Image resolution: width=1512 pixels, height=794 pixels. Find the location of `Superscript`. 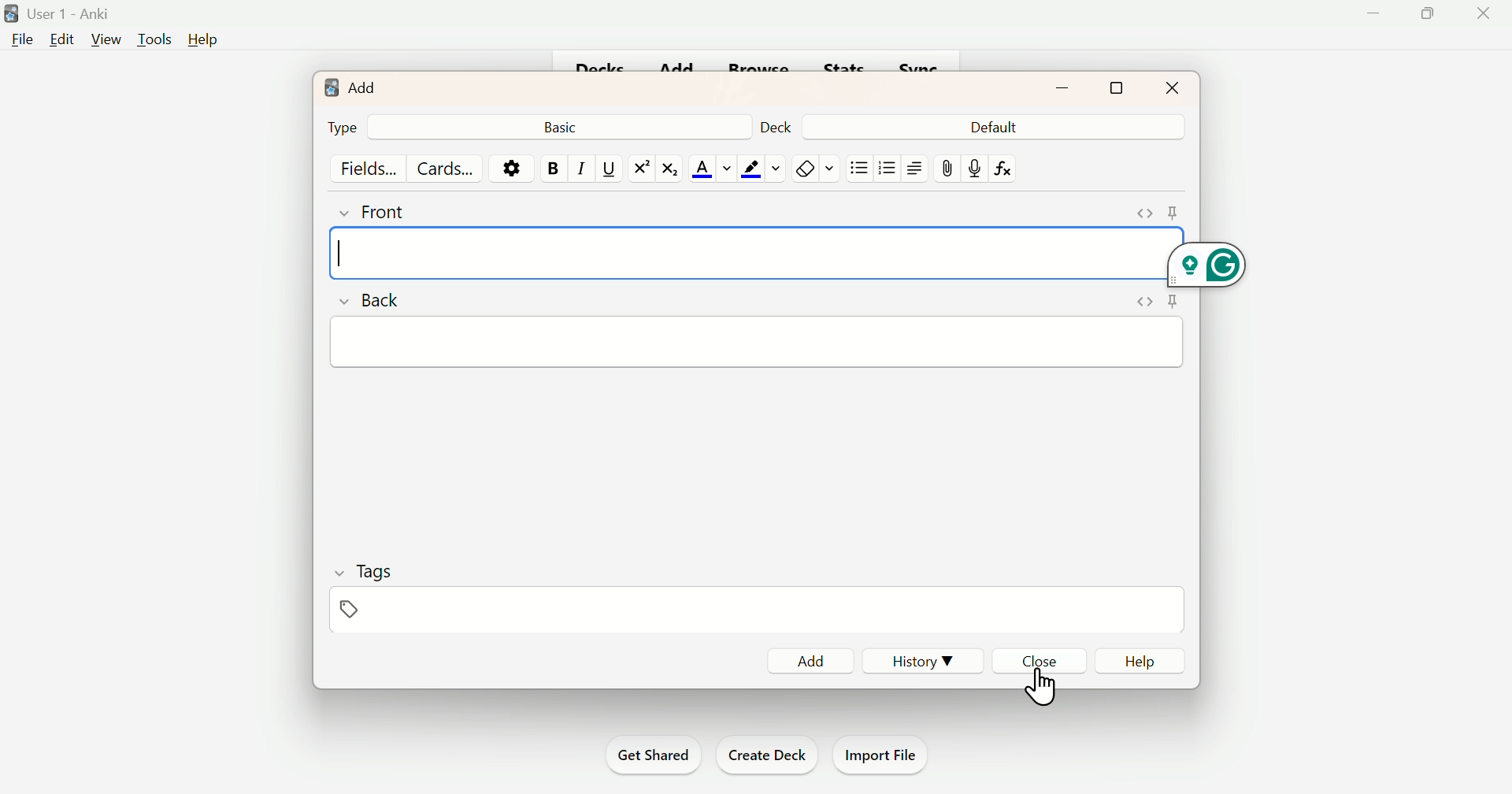

Superscript is located at coordinates (638, 169).